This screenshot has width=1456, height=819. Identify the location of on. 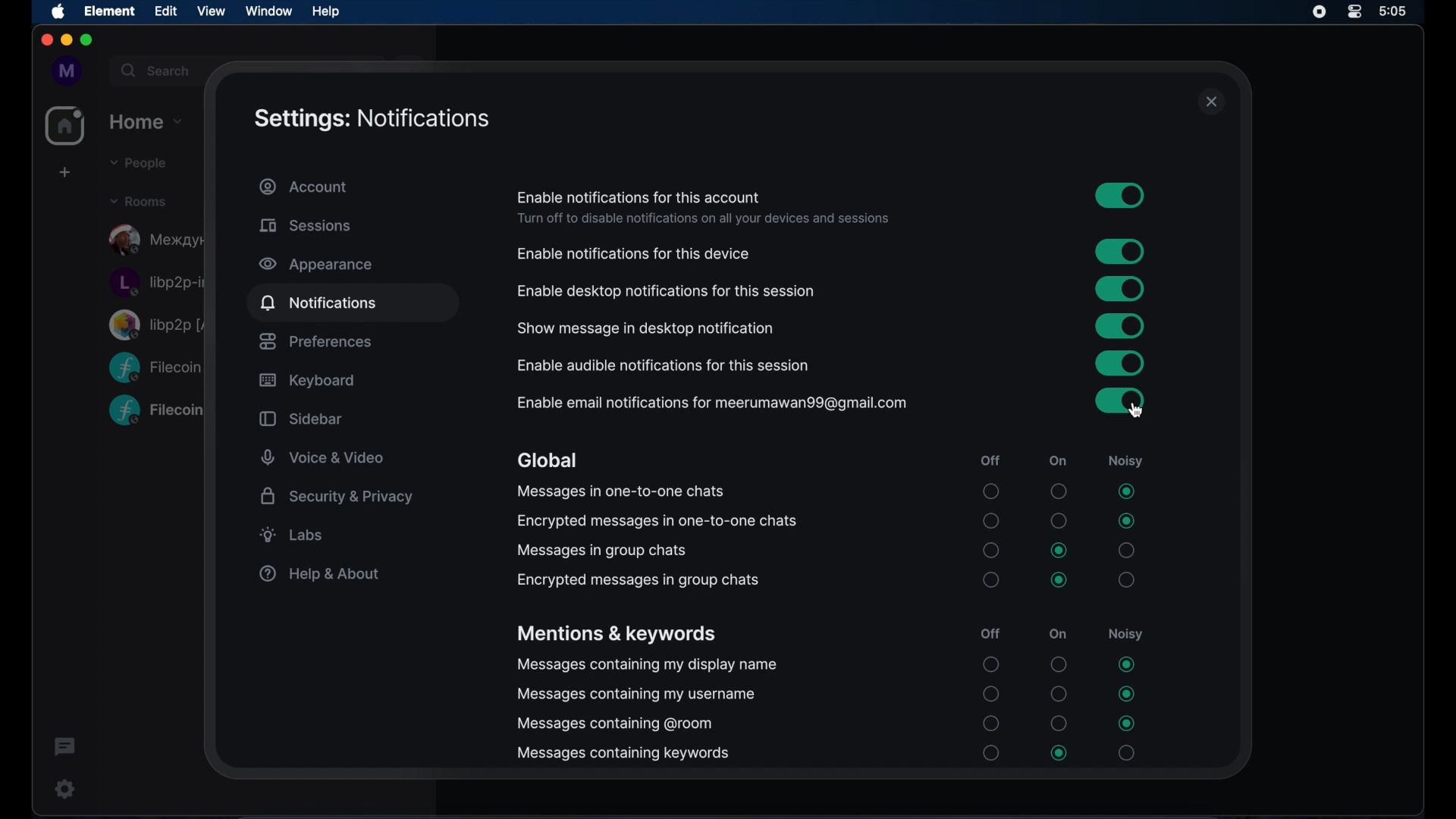
(1058, 461).